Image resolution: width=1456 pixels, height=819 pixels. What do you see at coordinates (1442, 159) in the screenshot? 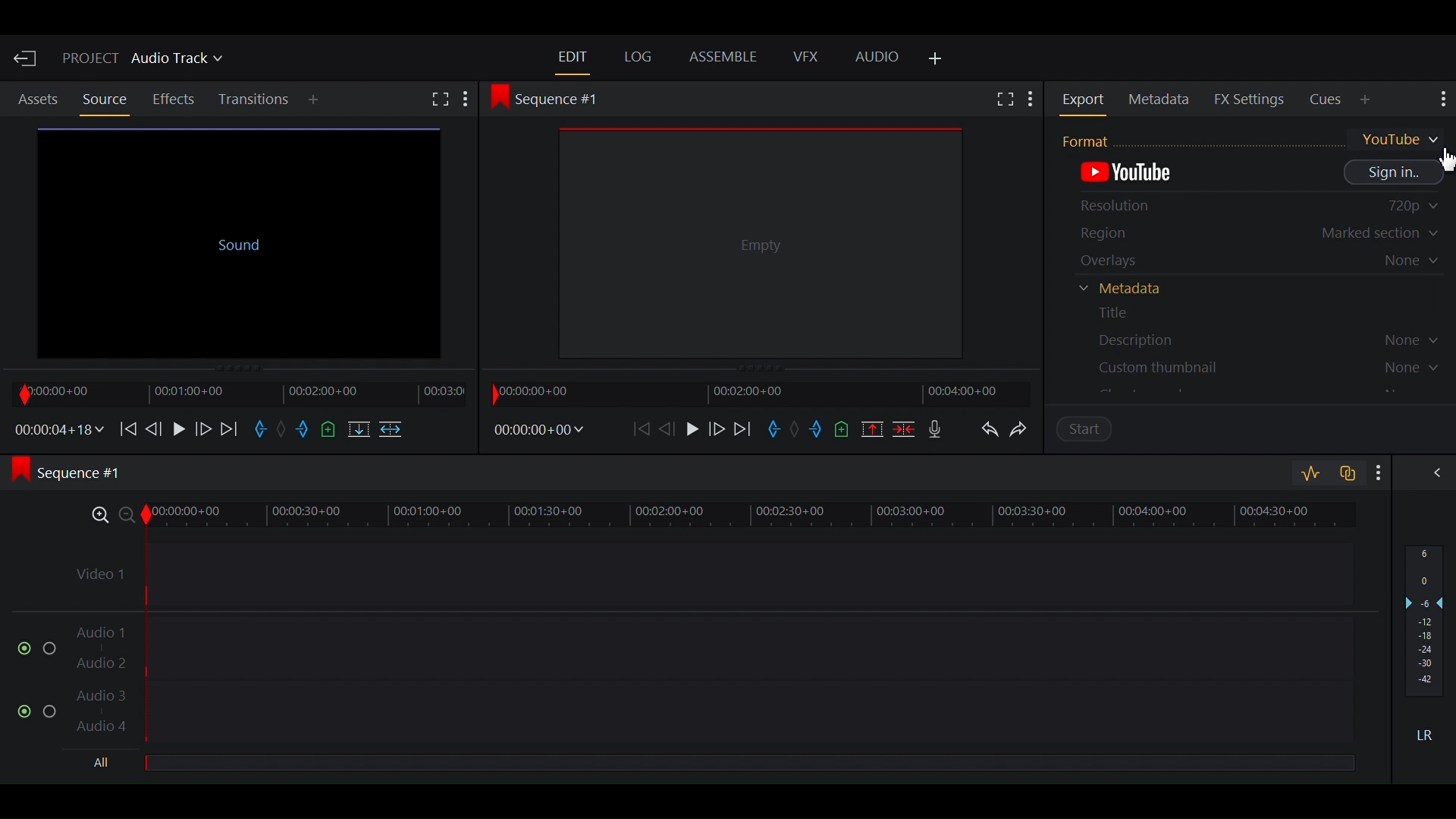
I see `` at bounding box center [1442, 159].